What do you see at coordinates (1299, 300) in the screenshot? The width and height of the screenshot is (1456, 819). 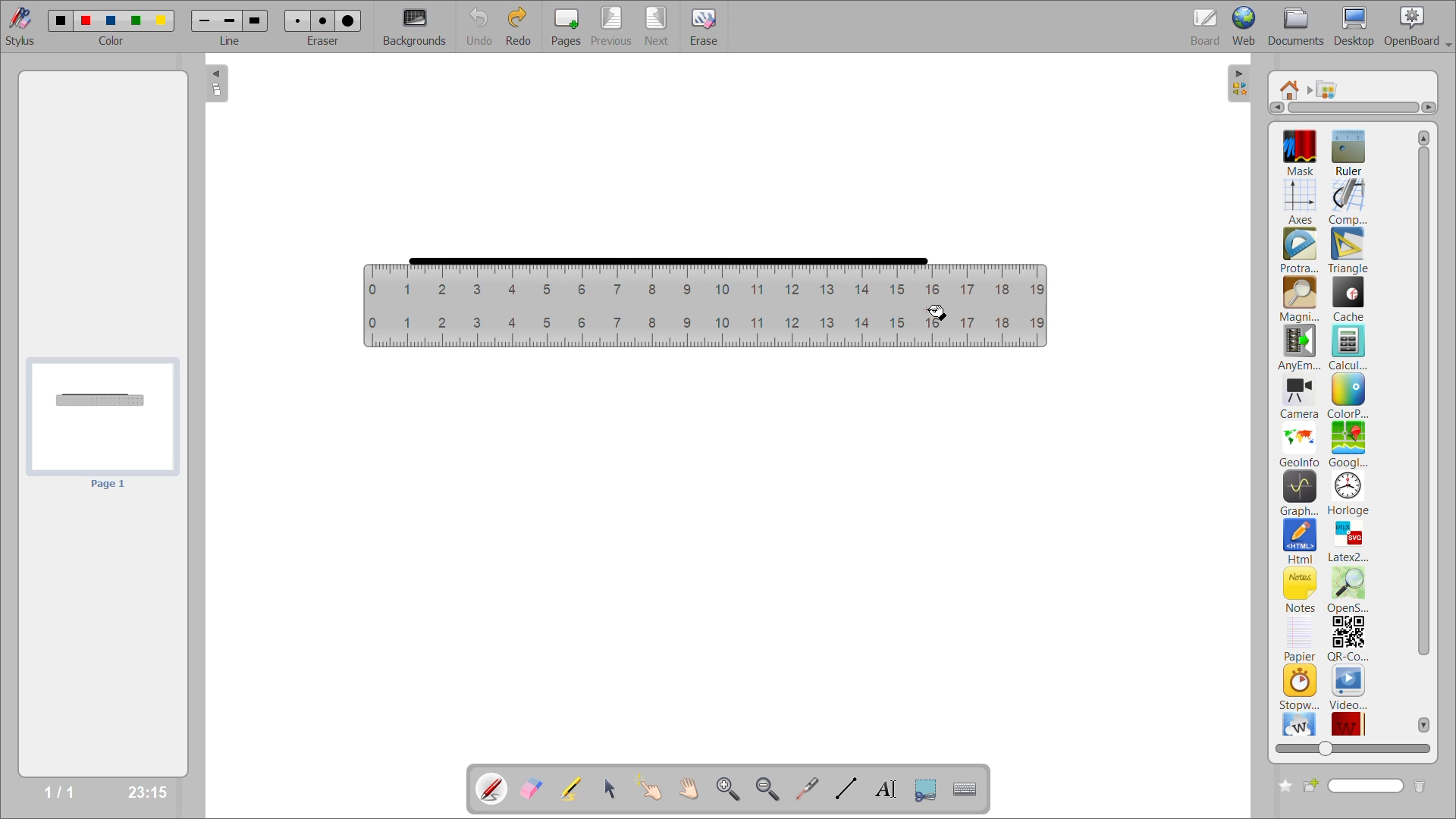 I see `magnifier` at bounding box center [1299, 300].